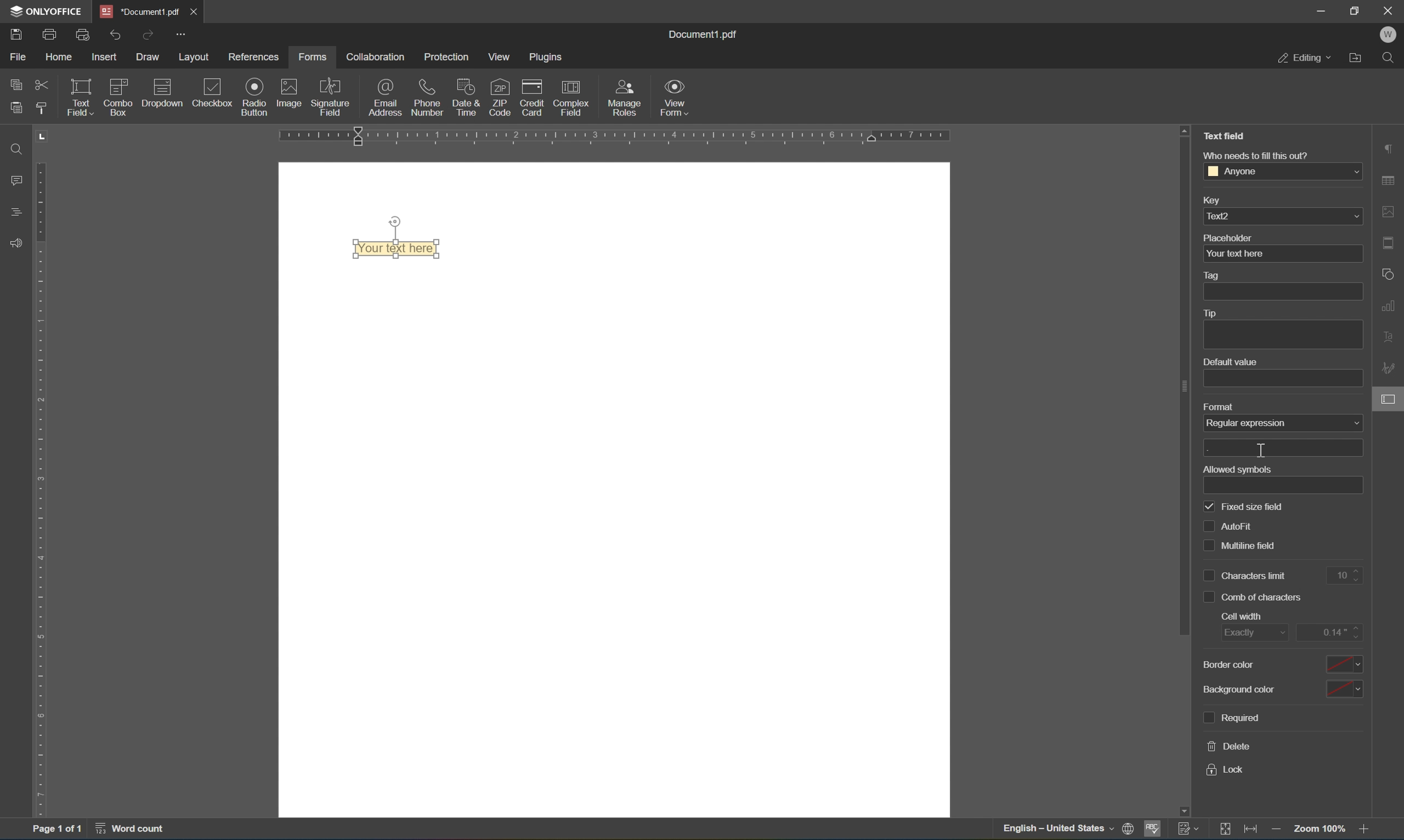  Describe the element at coordinates (677, 97) in the screenshot. I see `view form` at that location.